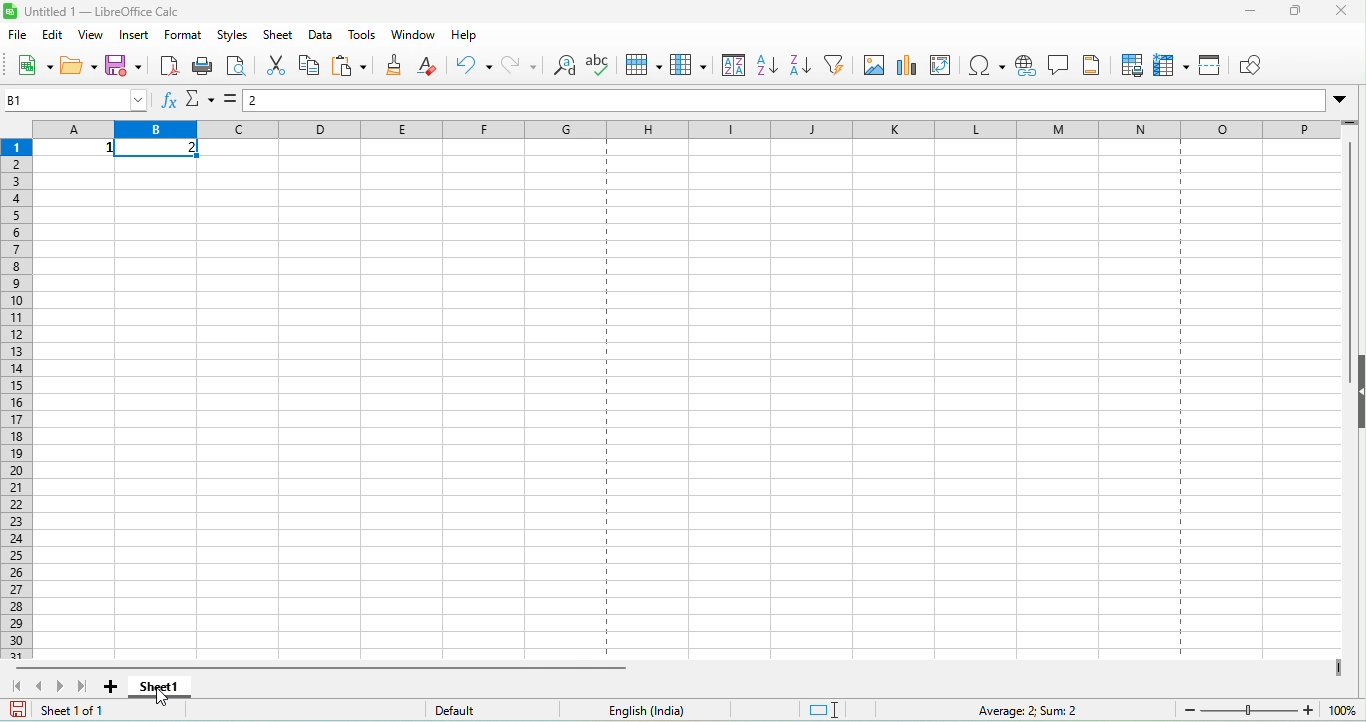 This screenshot has height=722, width=1366. I want to click on sort ascending, so click(769, 68).